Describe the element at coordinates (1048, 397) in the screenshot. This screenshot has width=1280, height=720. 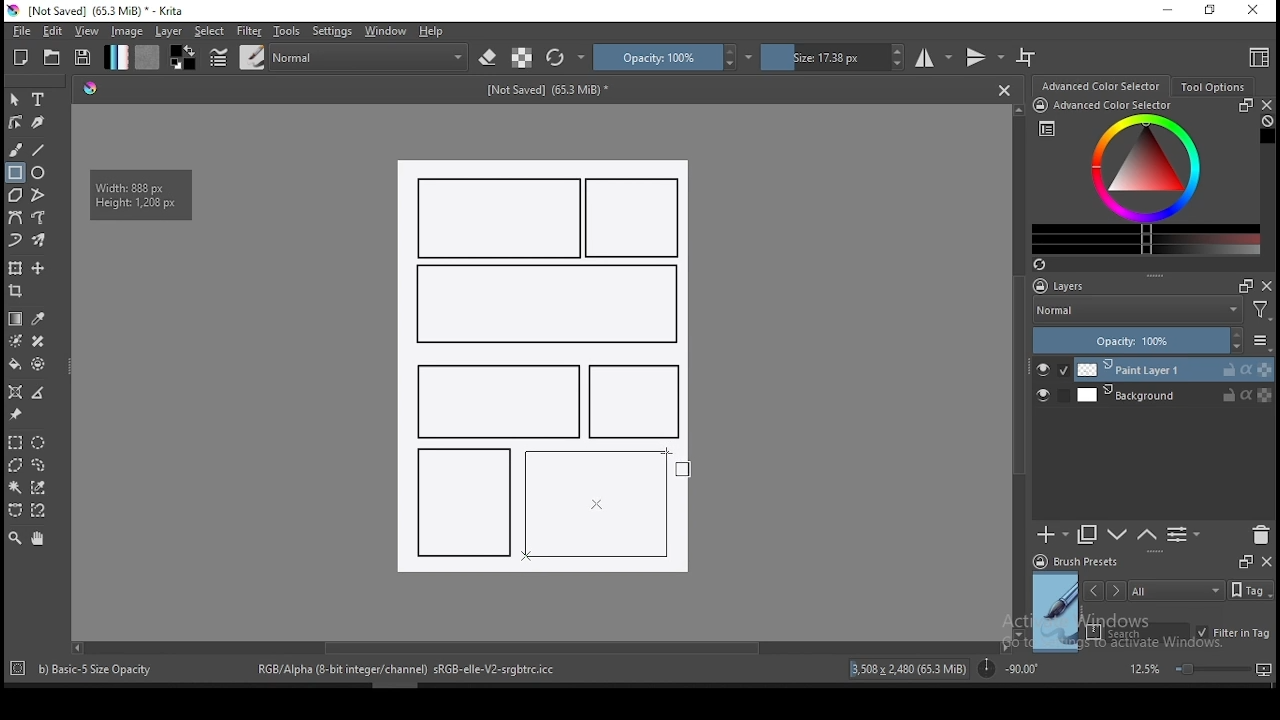
I see `layer visibility on/off` at that location.